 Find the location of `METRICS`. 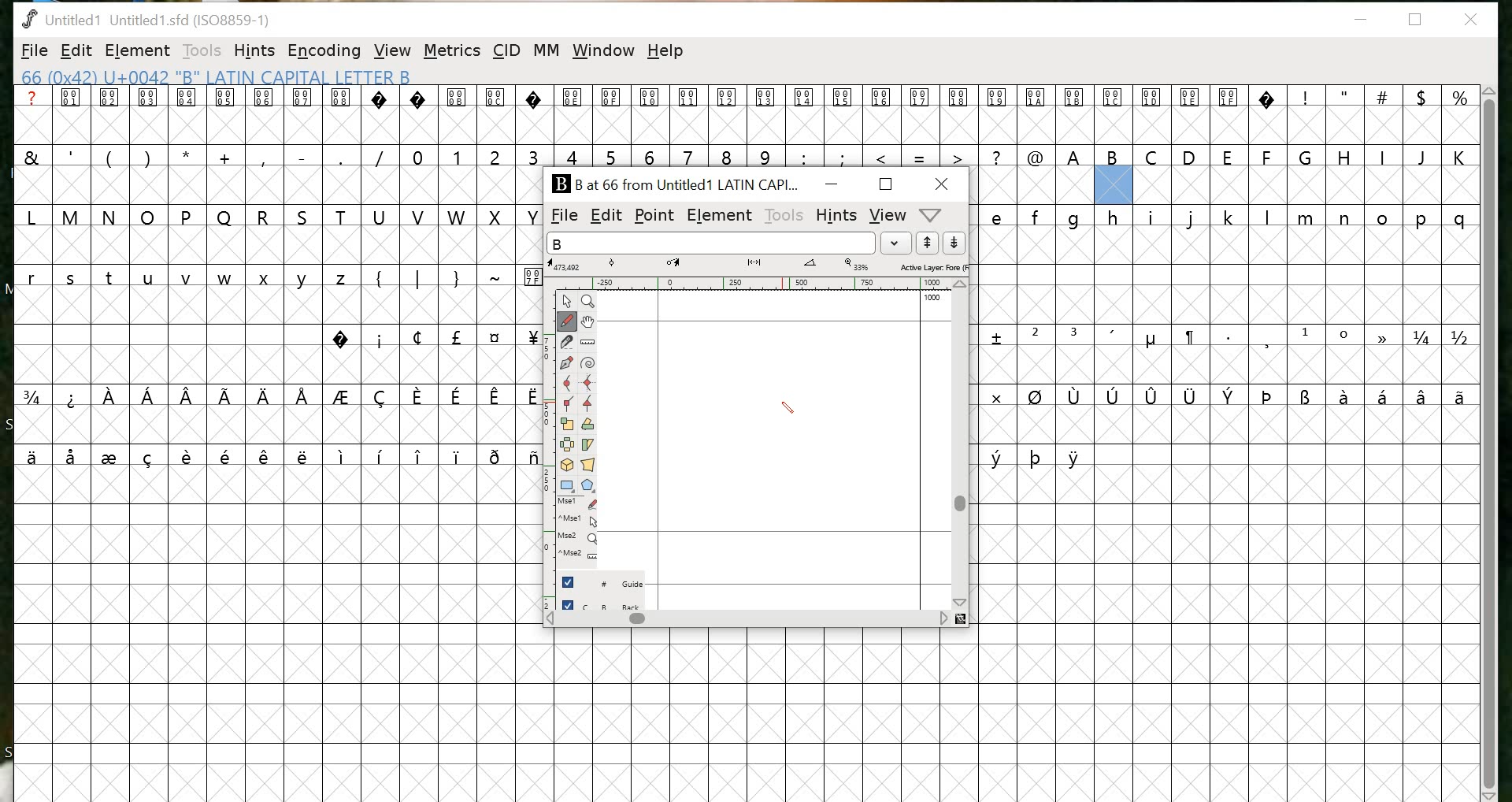

METRICS is located at coordinates (454, 50).